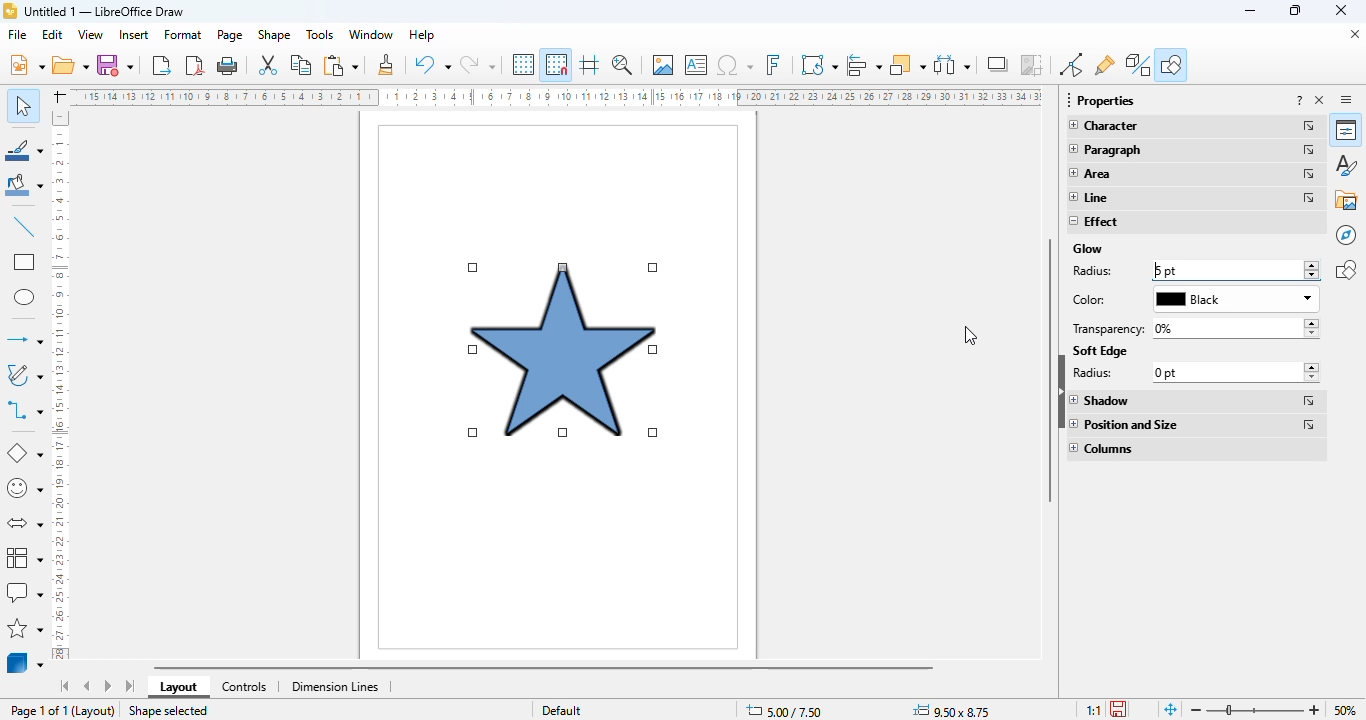 Image resolution: width=1366 pixels, height=720 pixels. What do you see at coordinates (1100, 100) in the screenshot?
I see `properties` at bounding box center [1100, 100].